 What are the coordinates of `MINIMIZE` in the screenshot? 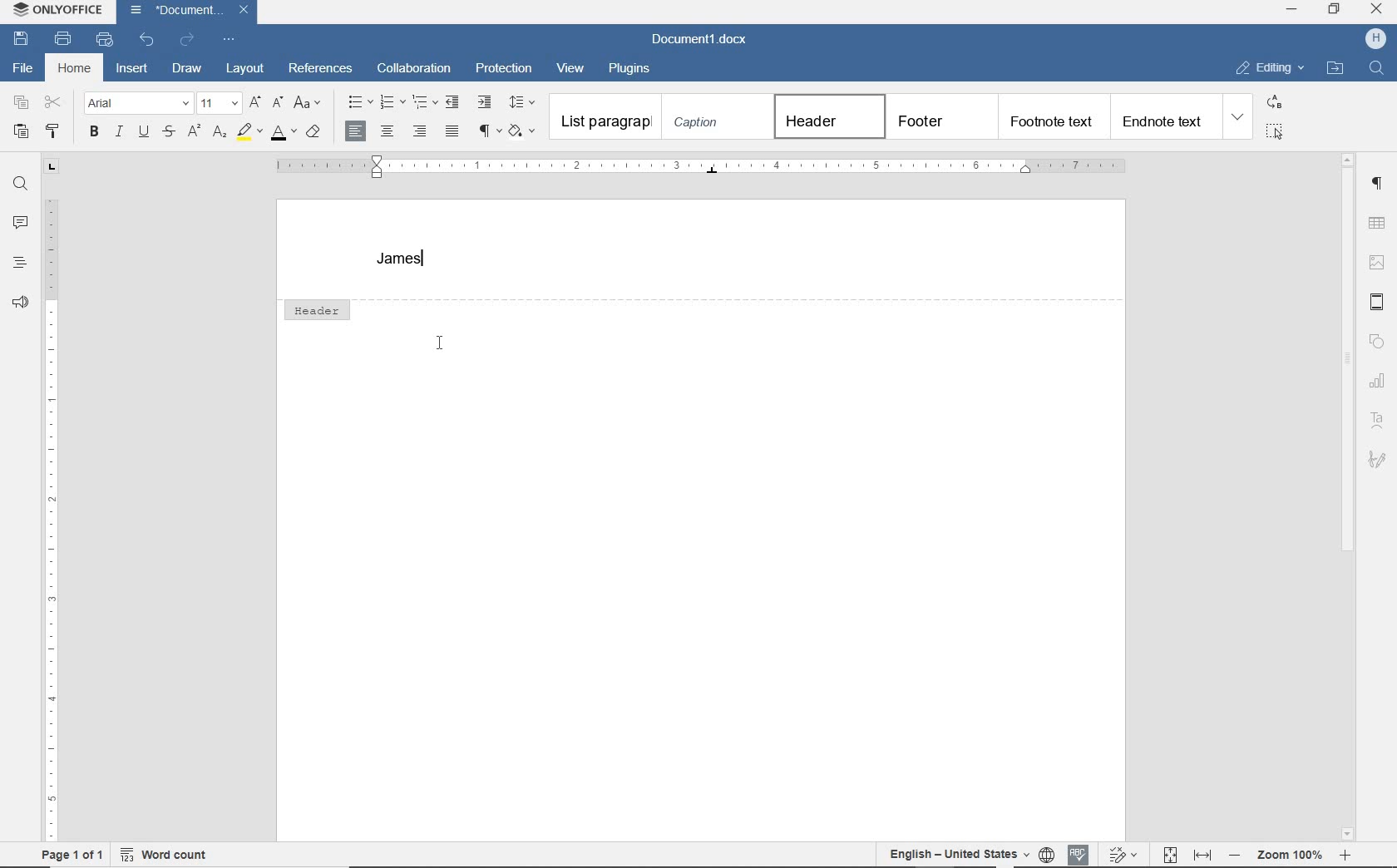 It's located at (1293, 11).